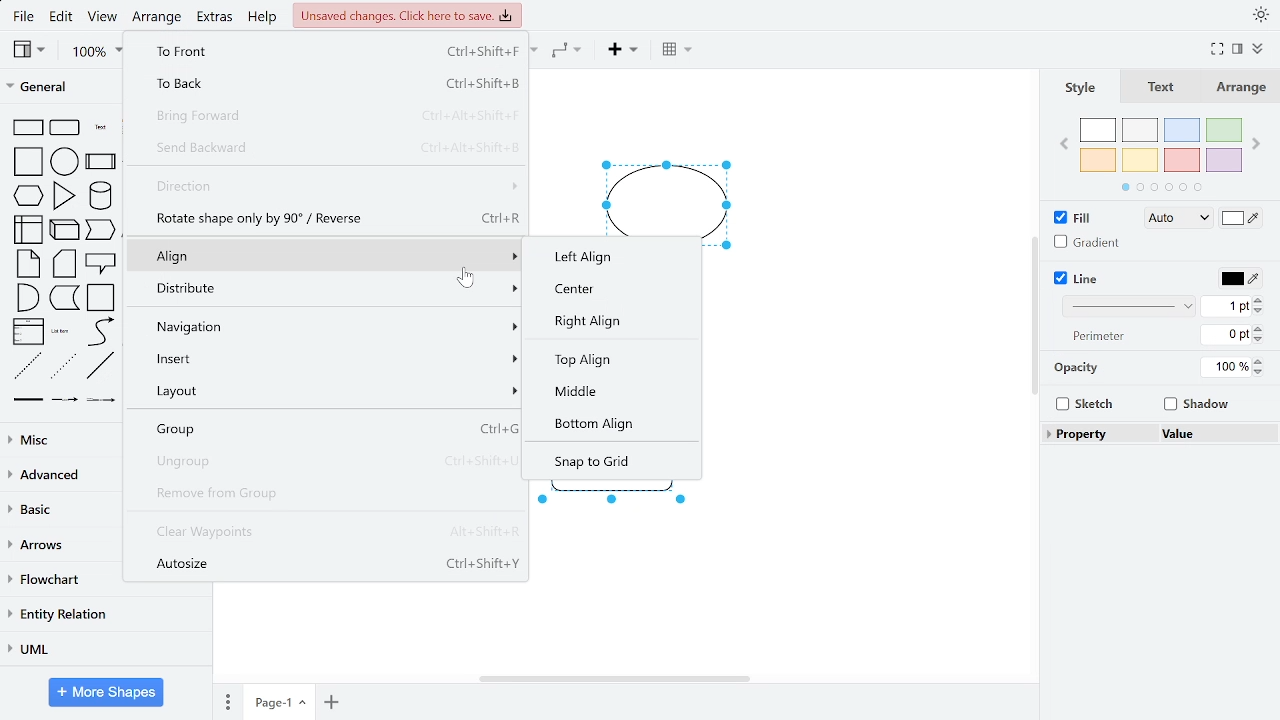 Image resolution: width=1280 pixels, height=720 pixels. What do you see at coordinates (264, 19) in the screenshot?
I see `help` at bounding box center [264, 19].